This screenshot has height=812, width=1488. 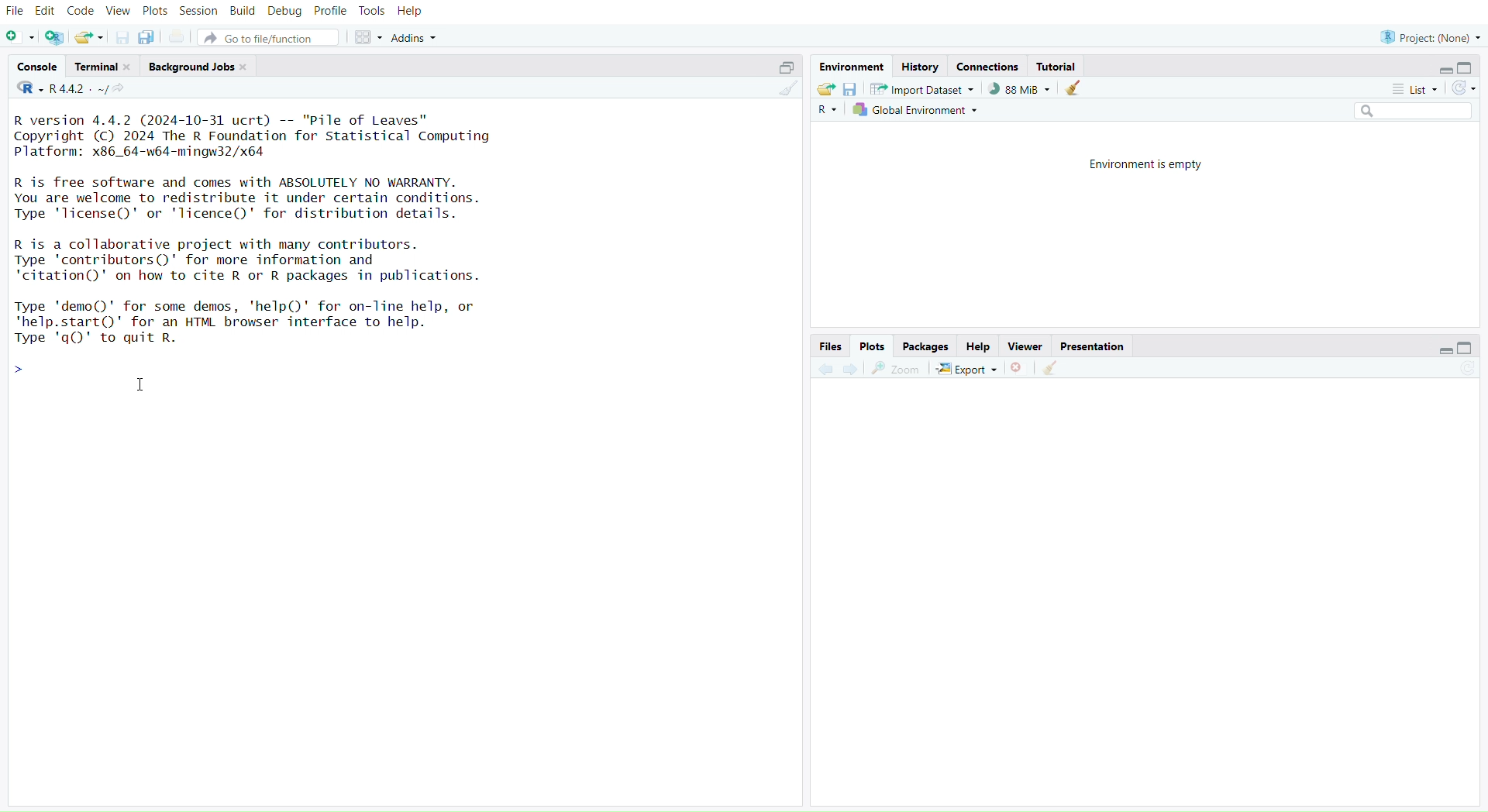 What do you see at coordinates (119, 12) in the screenshot?
I see `view` at bounding box center [119, 12].